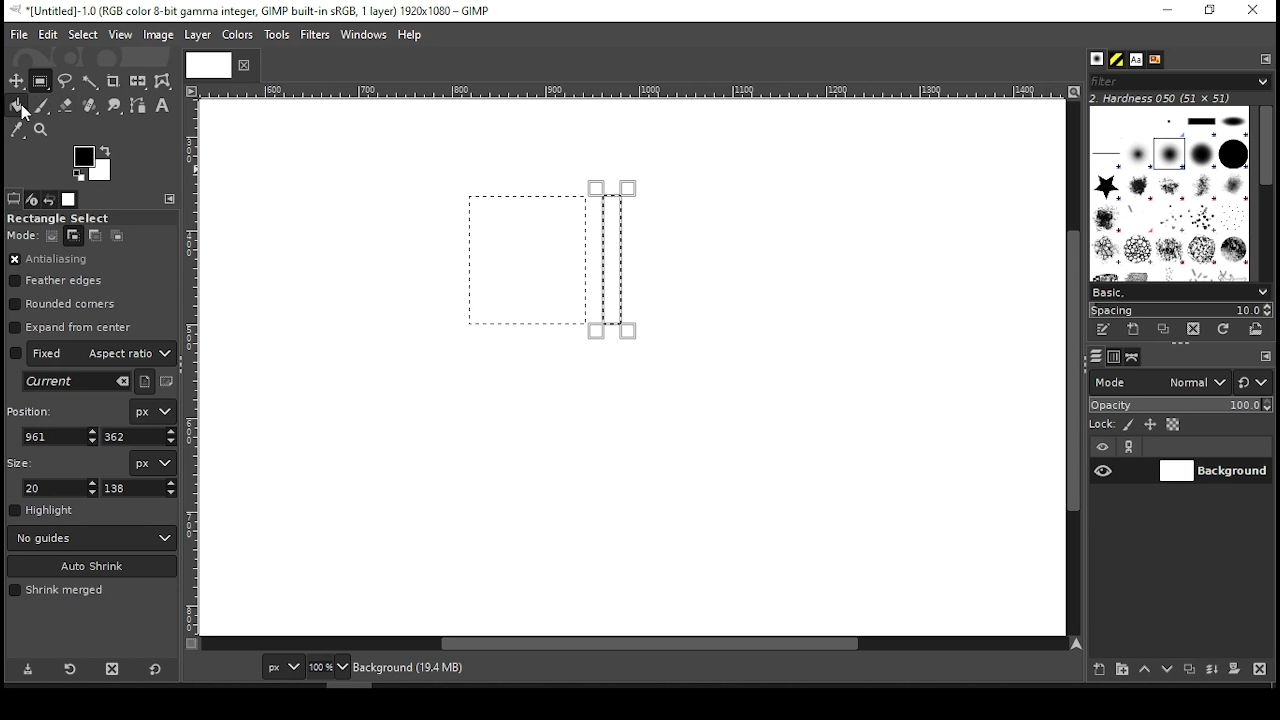 Image resolution: width=1280 pixels, height=720 pixels. Describe the element at coordinates (1166, 98) in the screenshot. I see `2. hardness 050 (51x51)` at that location.